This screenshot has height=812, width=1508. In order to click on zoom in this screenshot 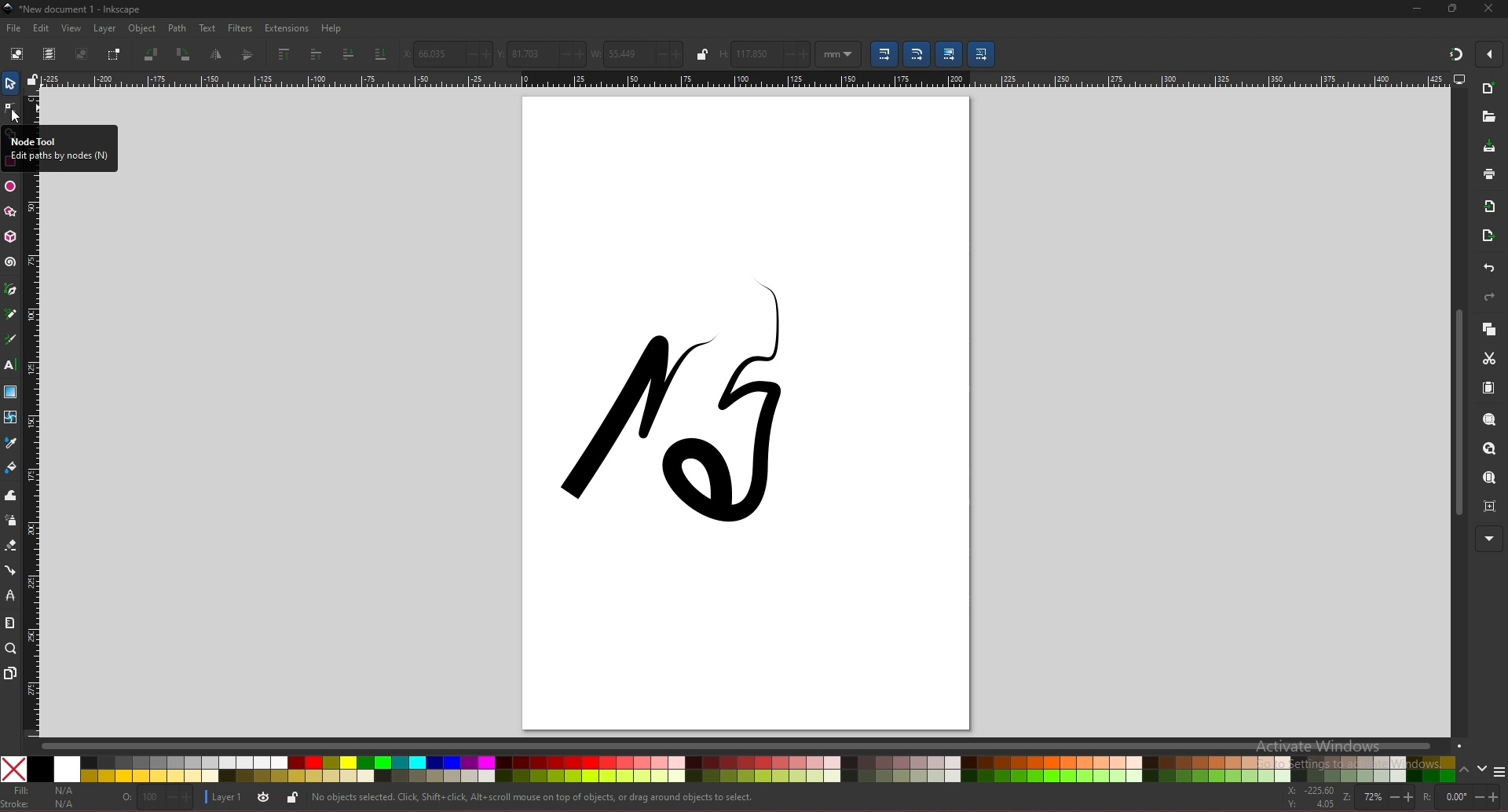, I will do `click(10, 649)`.